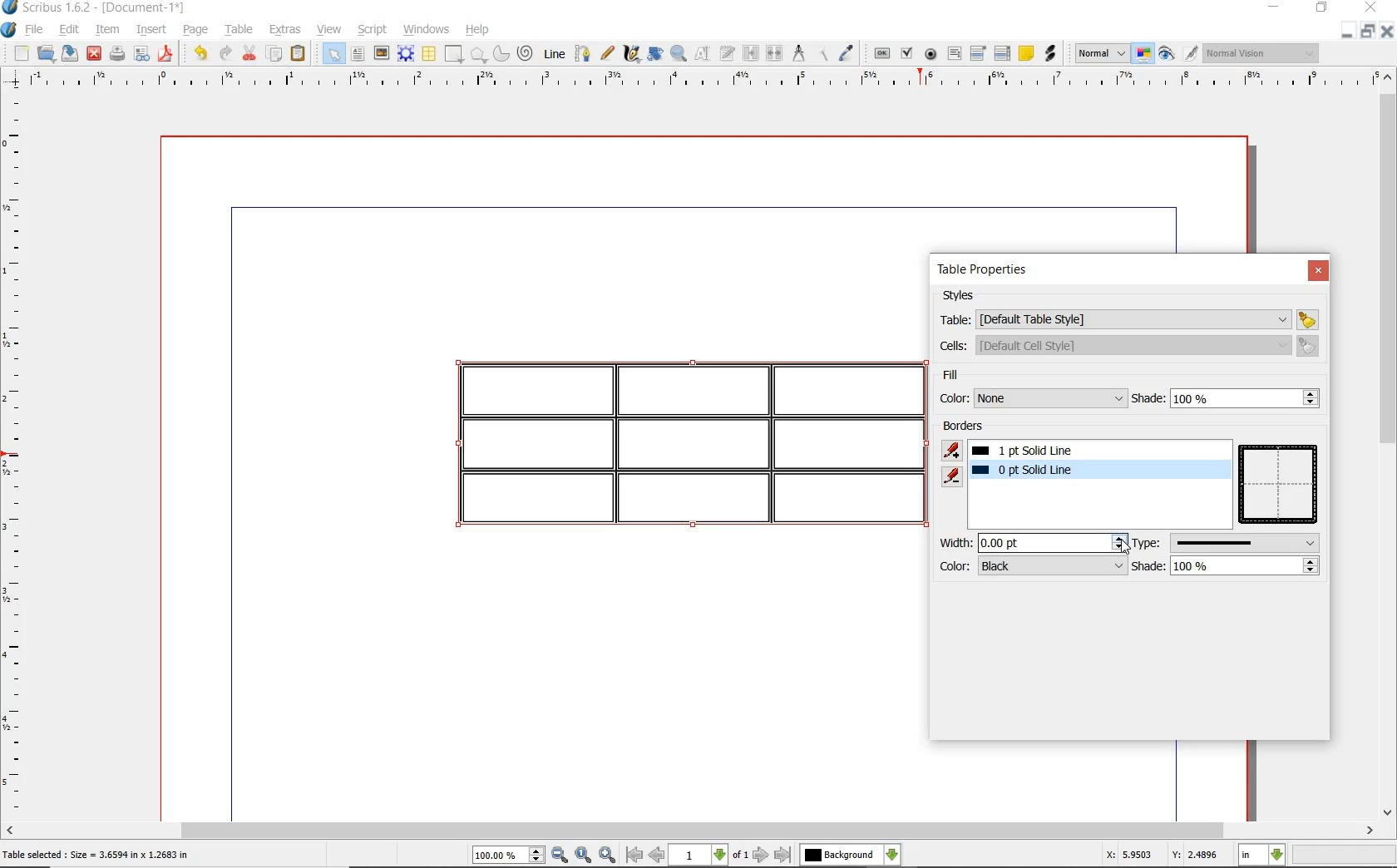  What do you see at coordinates (1369, 30) in the screenshot?
I see `RESTORE` at bounding box center [1369, 30].